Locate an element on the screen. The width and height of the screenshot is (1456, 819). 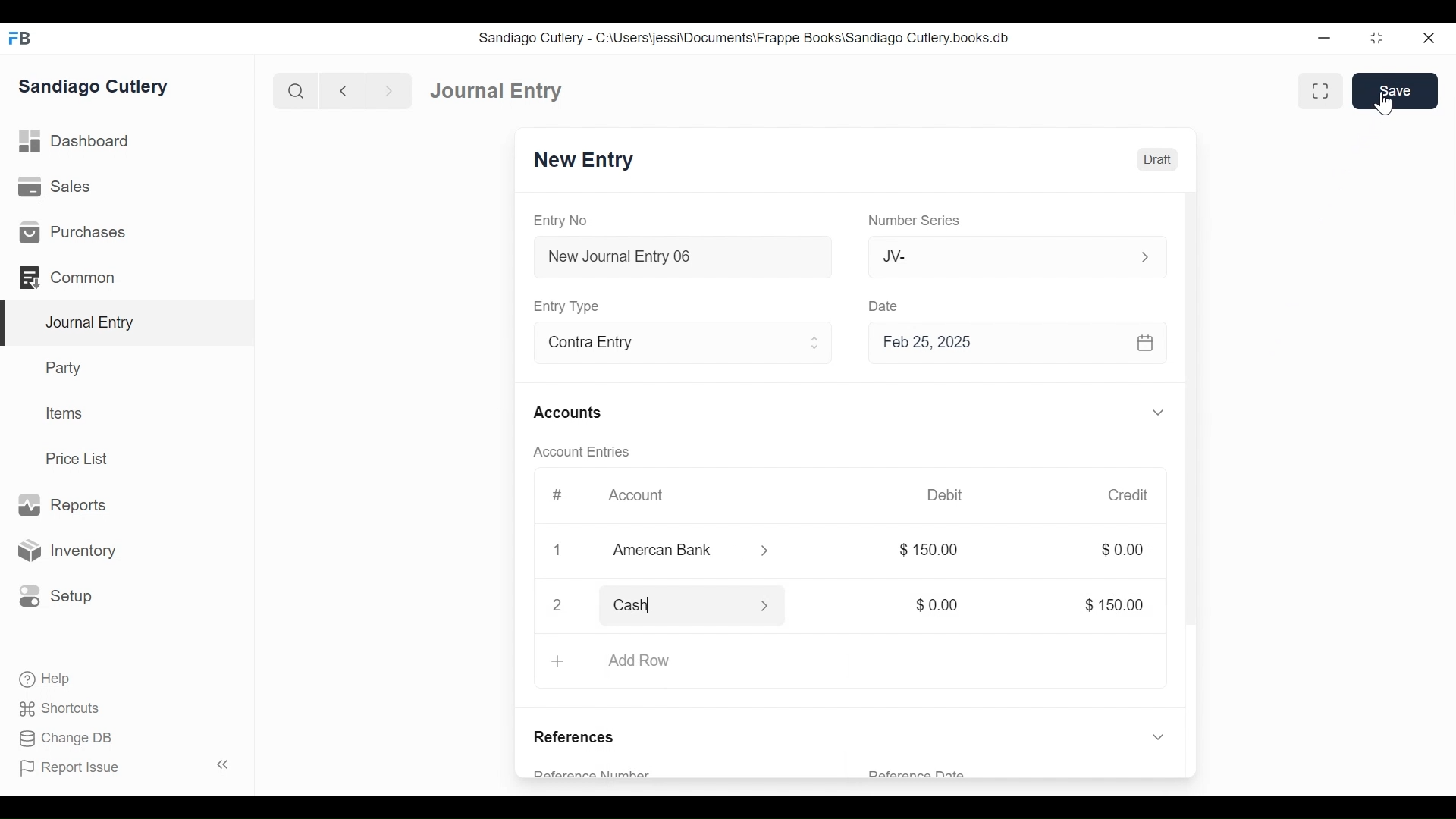
Entry Type is located at coordinates (569, 306).